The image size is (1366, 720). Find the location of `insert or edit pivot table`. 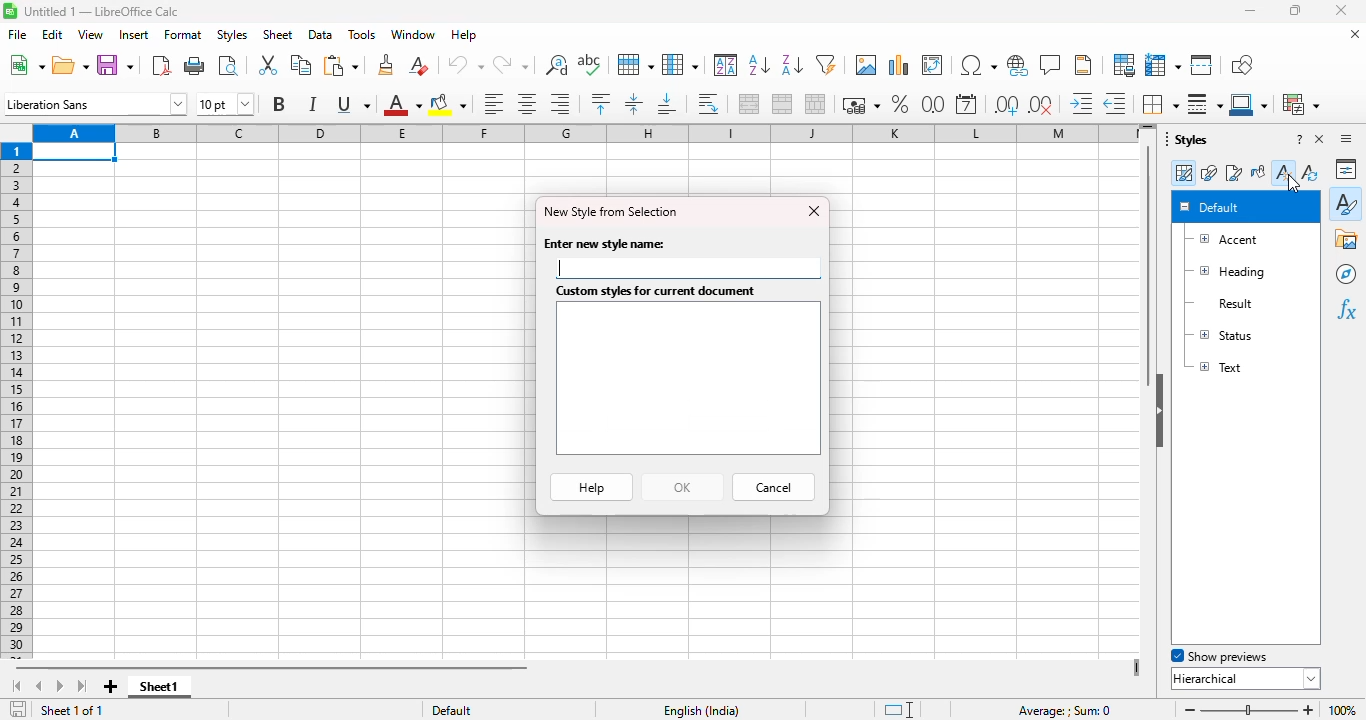

insert or edit pivot table is located at coordinates (933, 65).